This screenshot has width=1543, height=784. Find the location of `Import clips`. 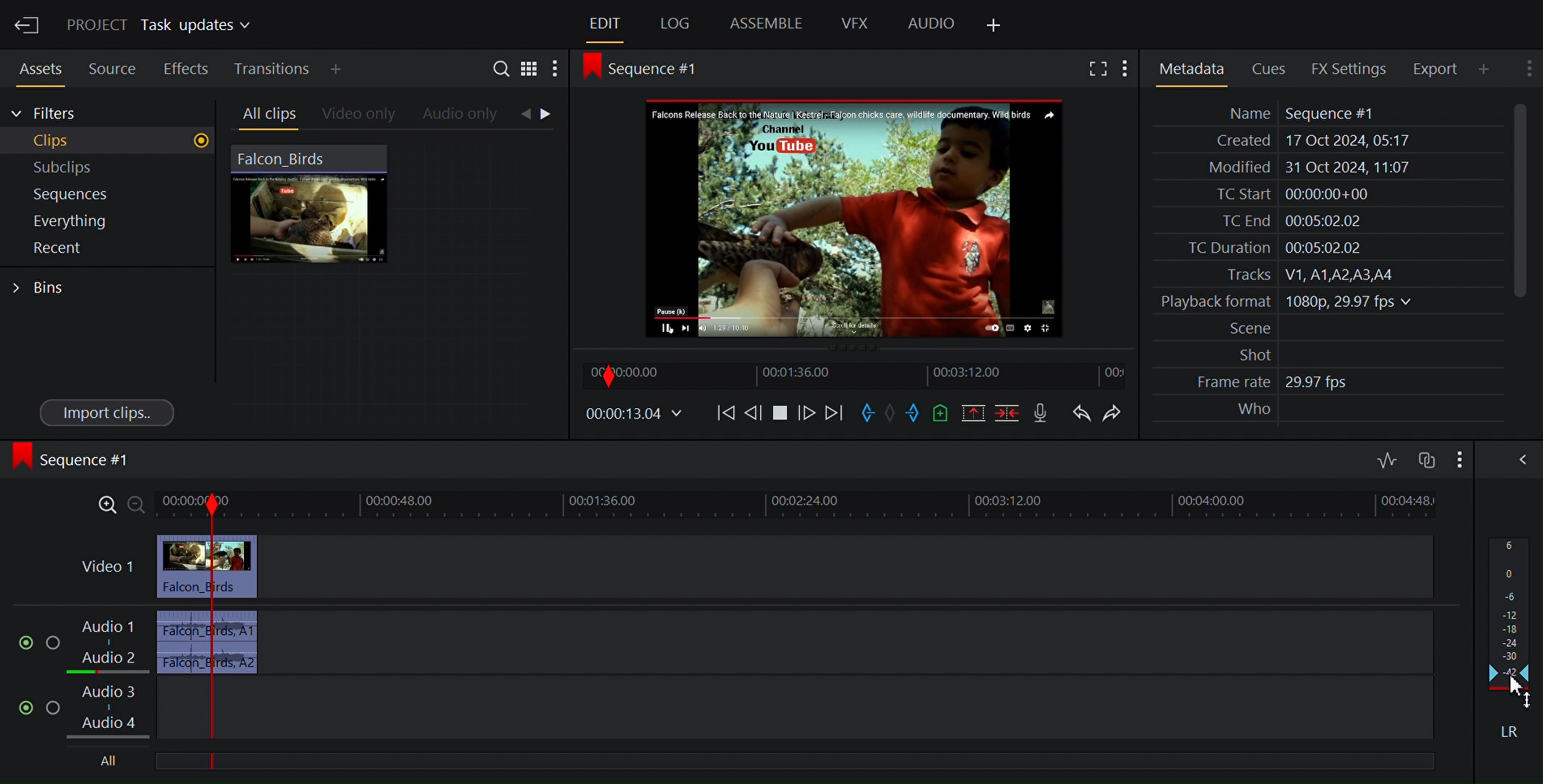

Import clips is located at coordinates (105, 413).